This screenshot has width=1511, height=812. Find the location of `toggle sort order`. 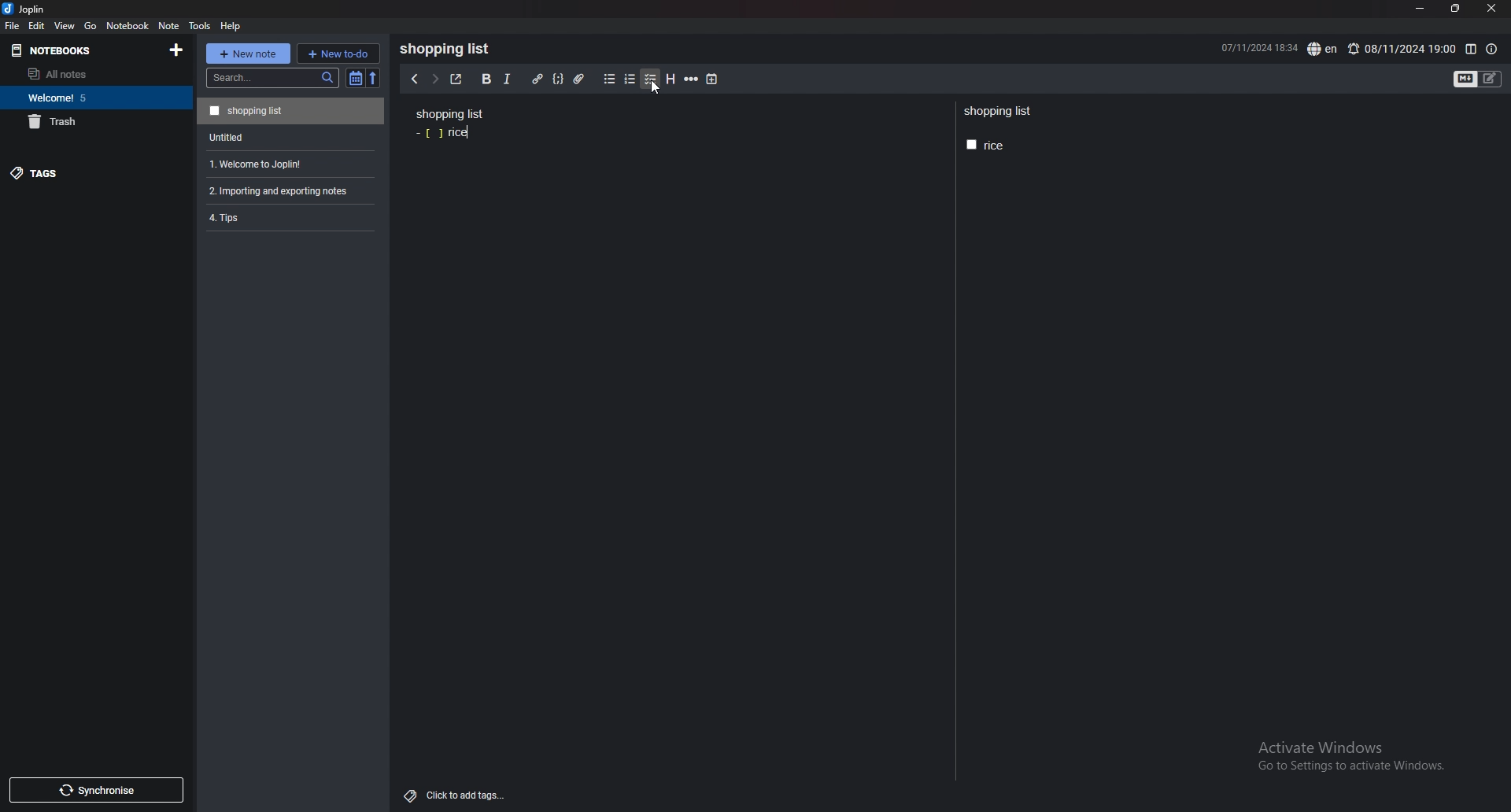

toggle sort order is located at coordinates (356, 78).